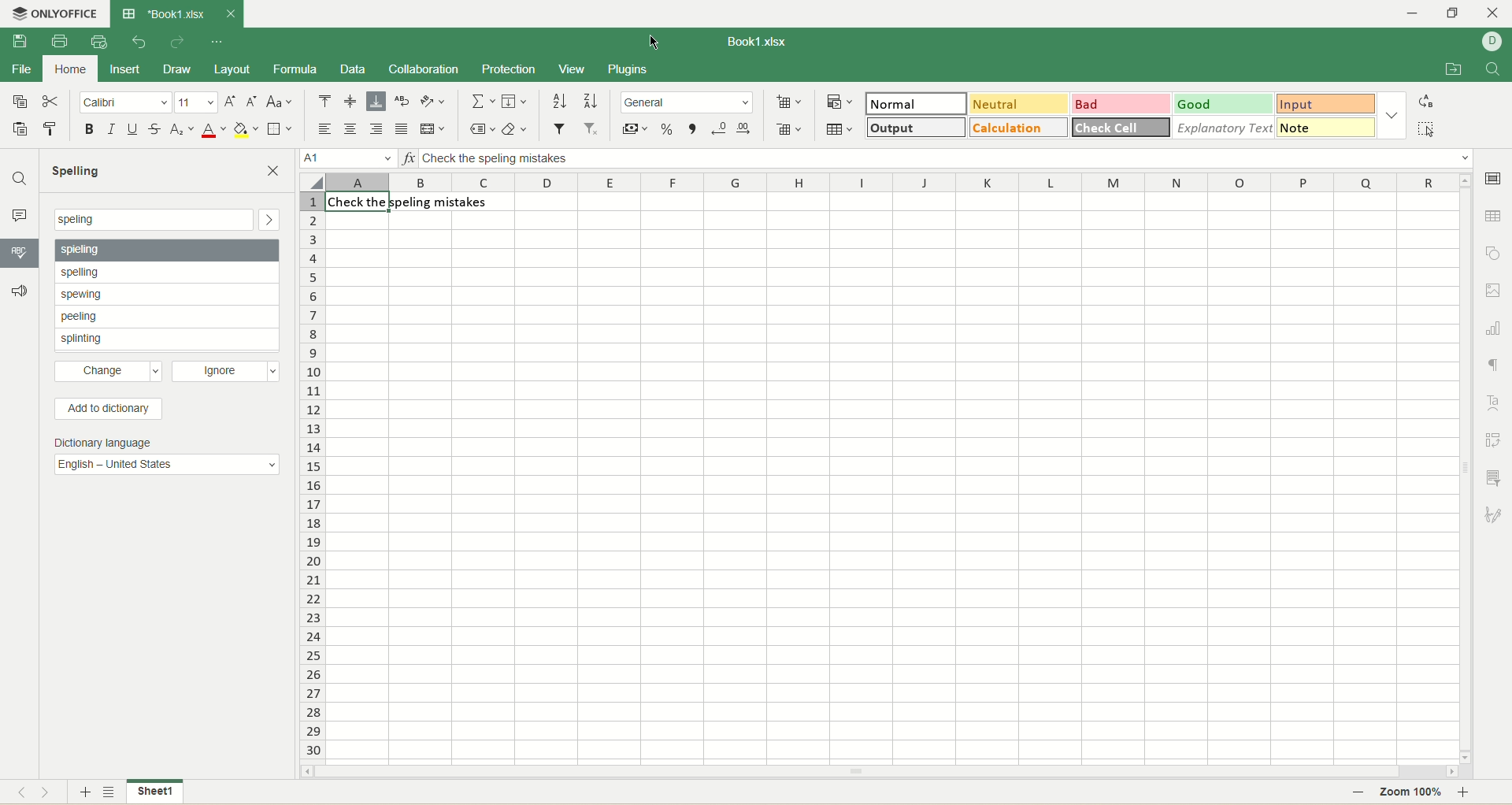 The image size is (1512, 805). Describe the element at coordinates (946, 158) in the screenshot. I see `input line` at that location.